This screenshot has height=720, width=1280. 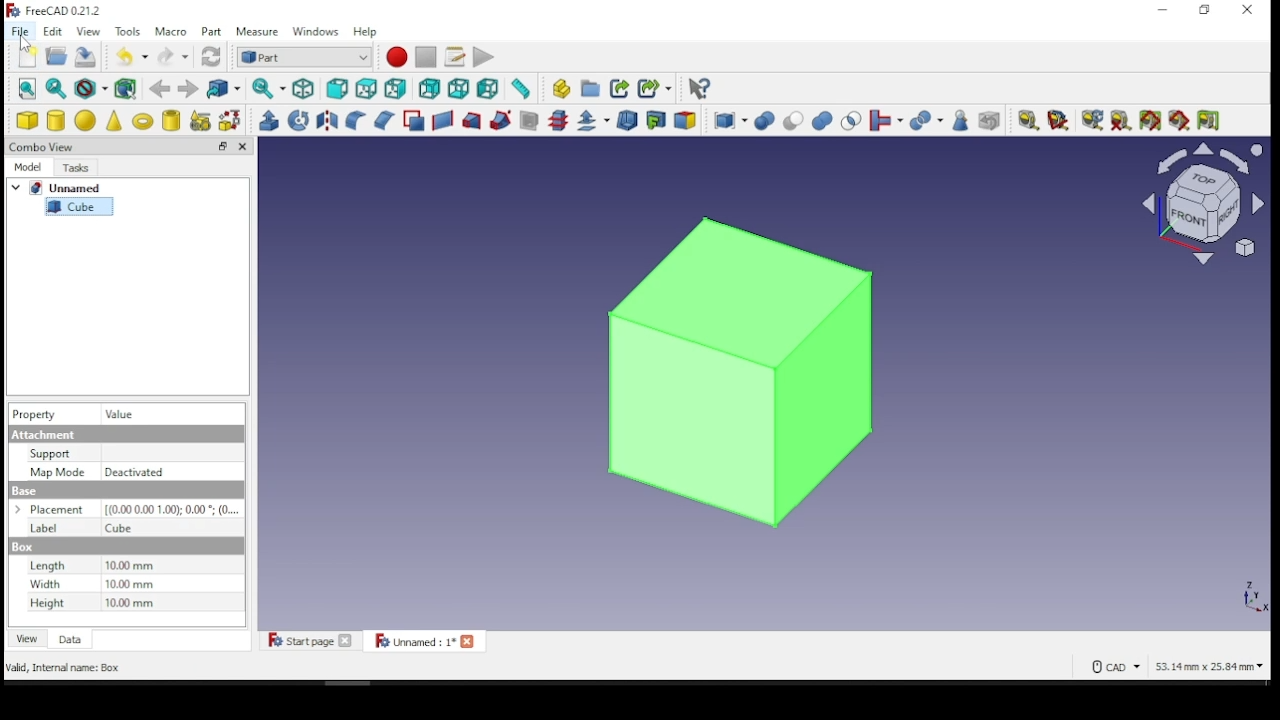 I want to click on Width, so click(x=47, y=584).